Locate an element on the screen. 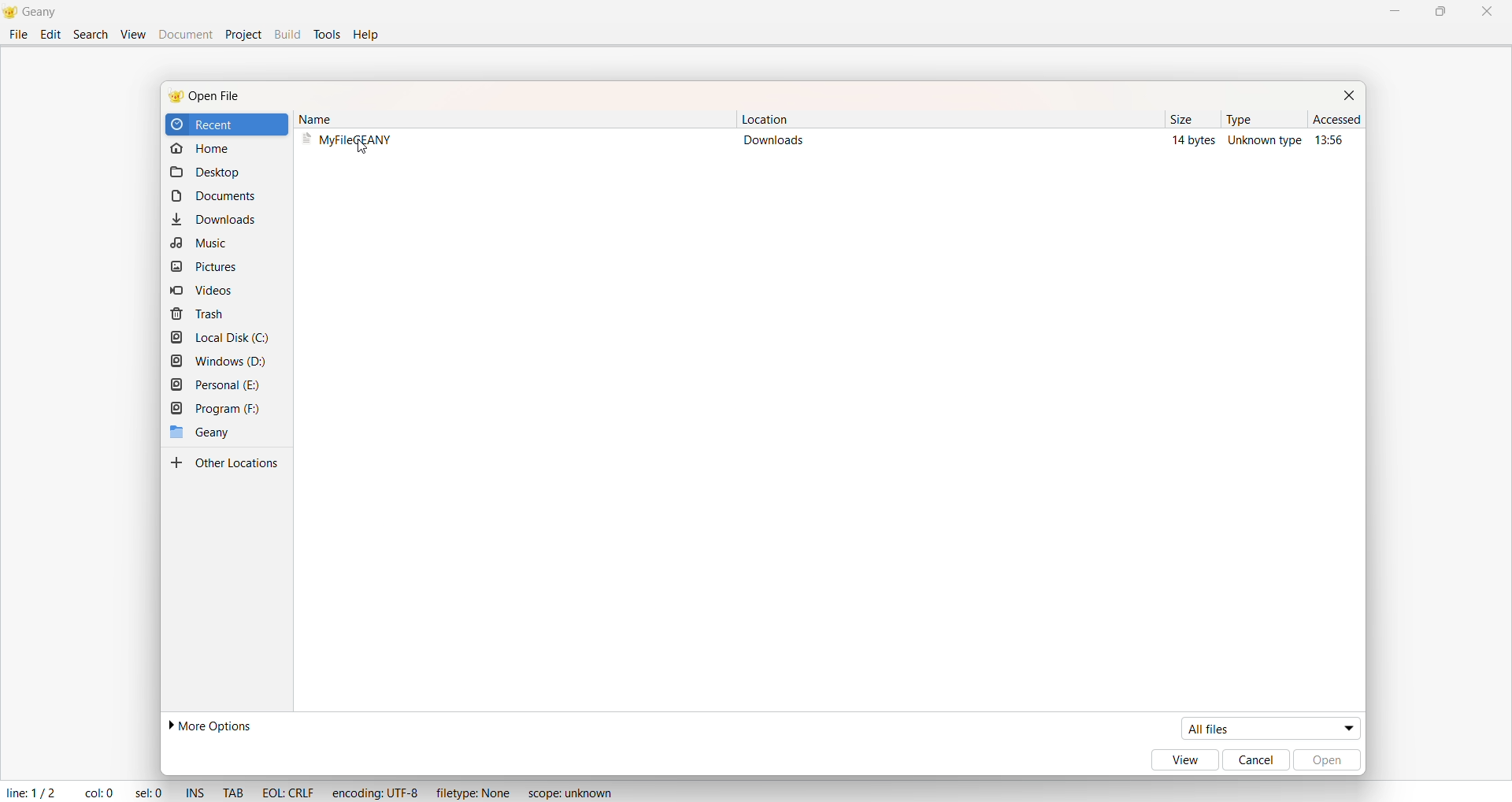 The image size is (1512, 802). type is located at coordinates (1235, 119).